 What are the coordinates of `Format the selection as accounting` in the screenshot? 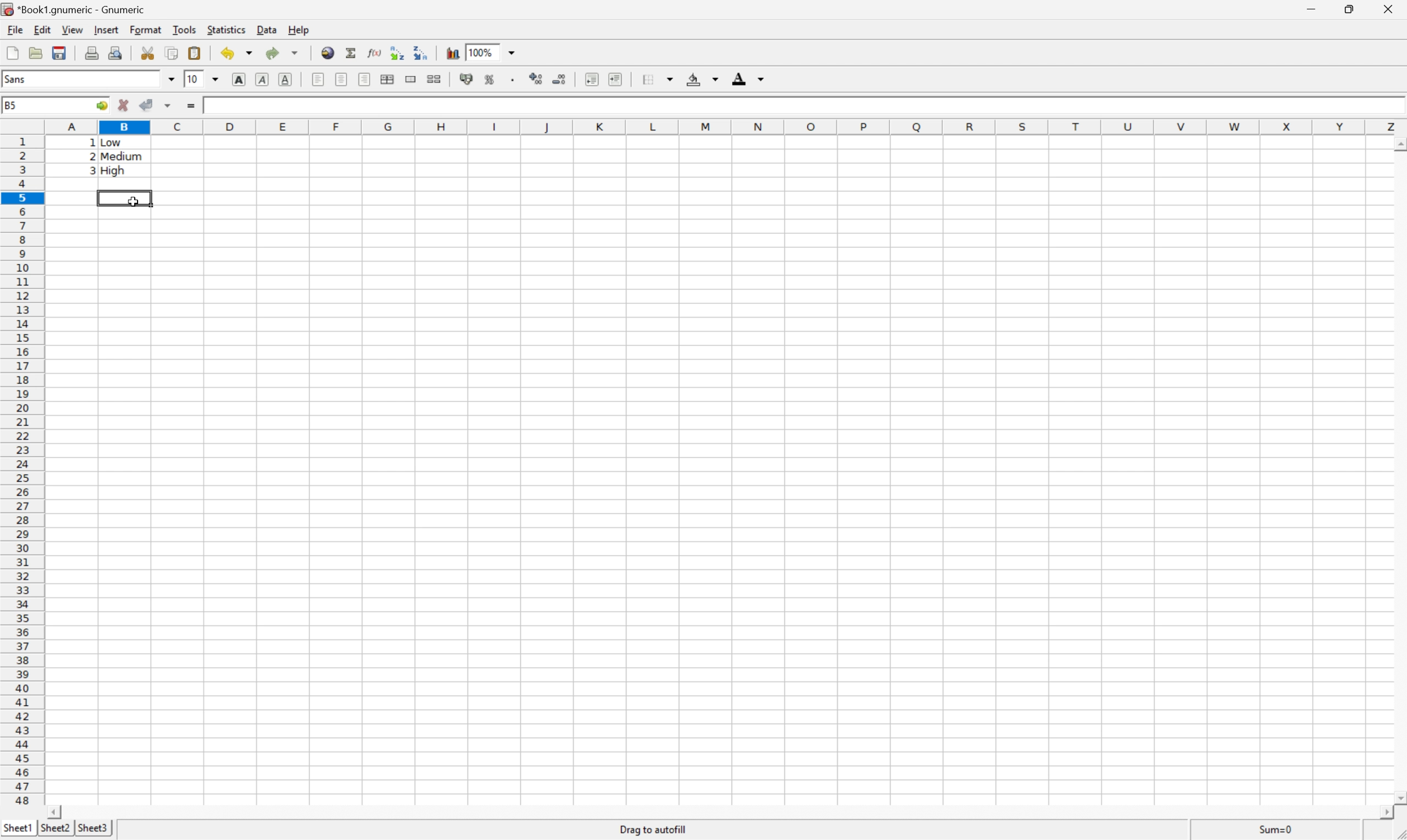 It's located at (465, 79).